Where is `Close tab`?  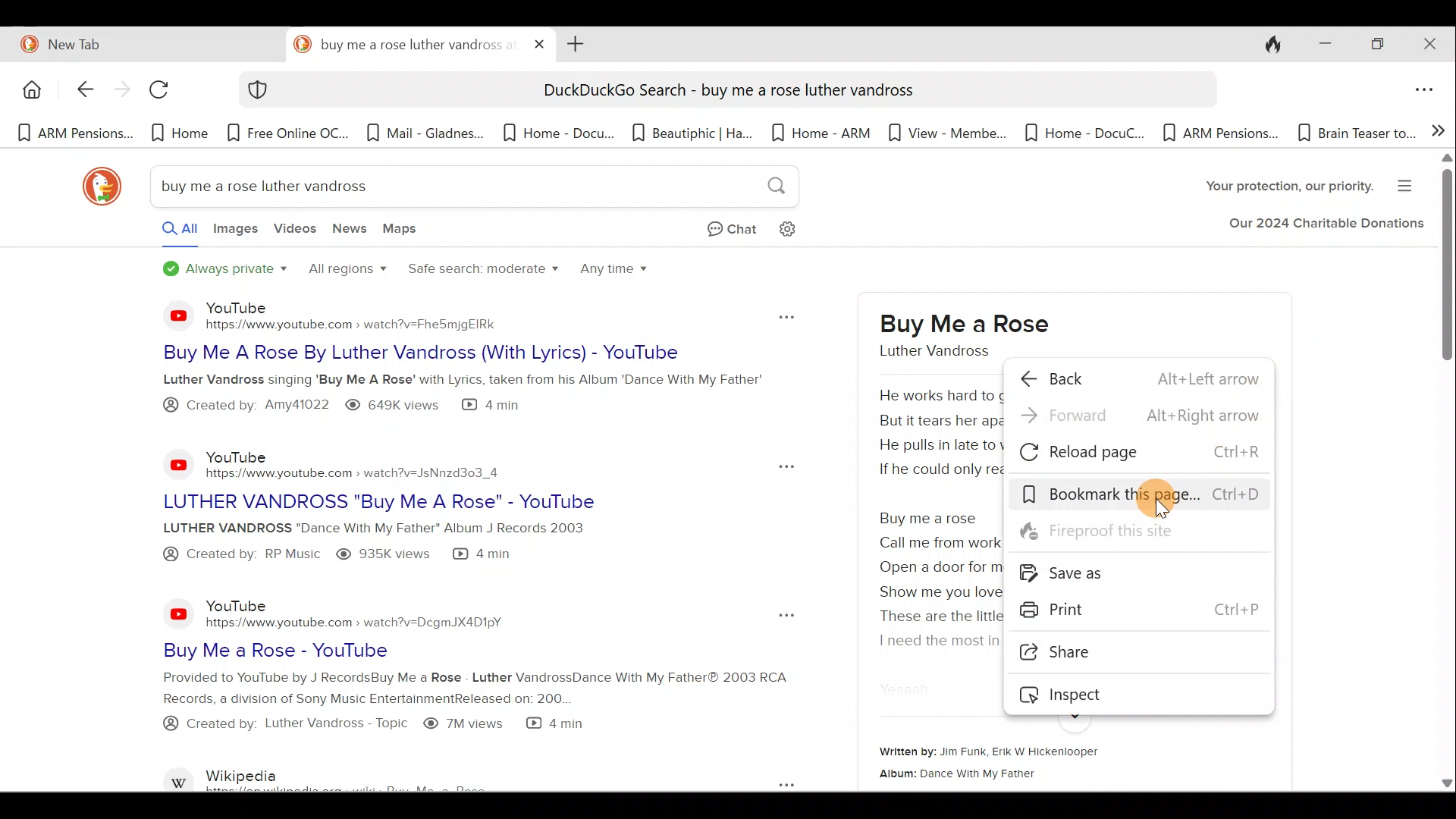
Close tab is located at coordinates (540, 41).